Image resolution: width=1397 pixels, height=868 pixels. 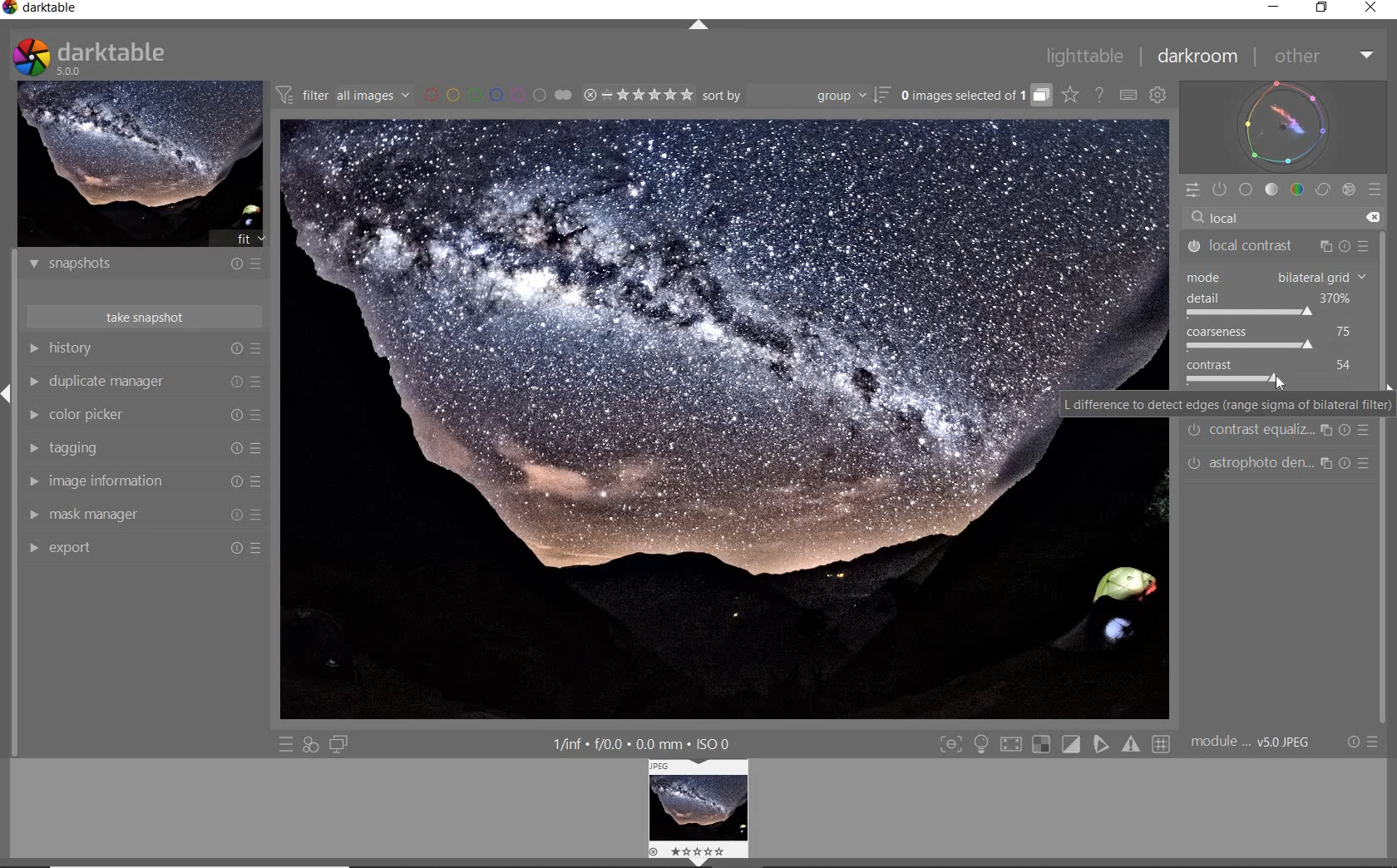 I want to click on local contrast, so click(x=1252, y=246).